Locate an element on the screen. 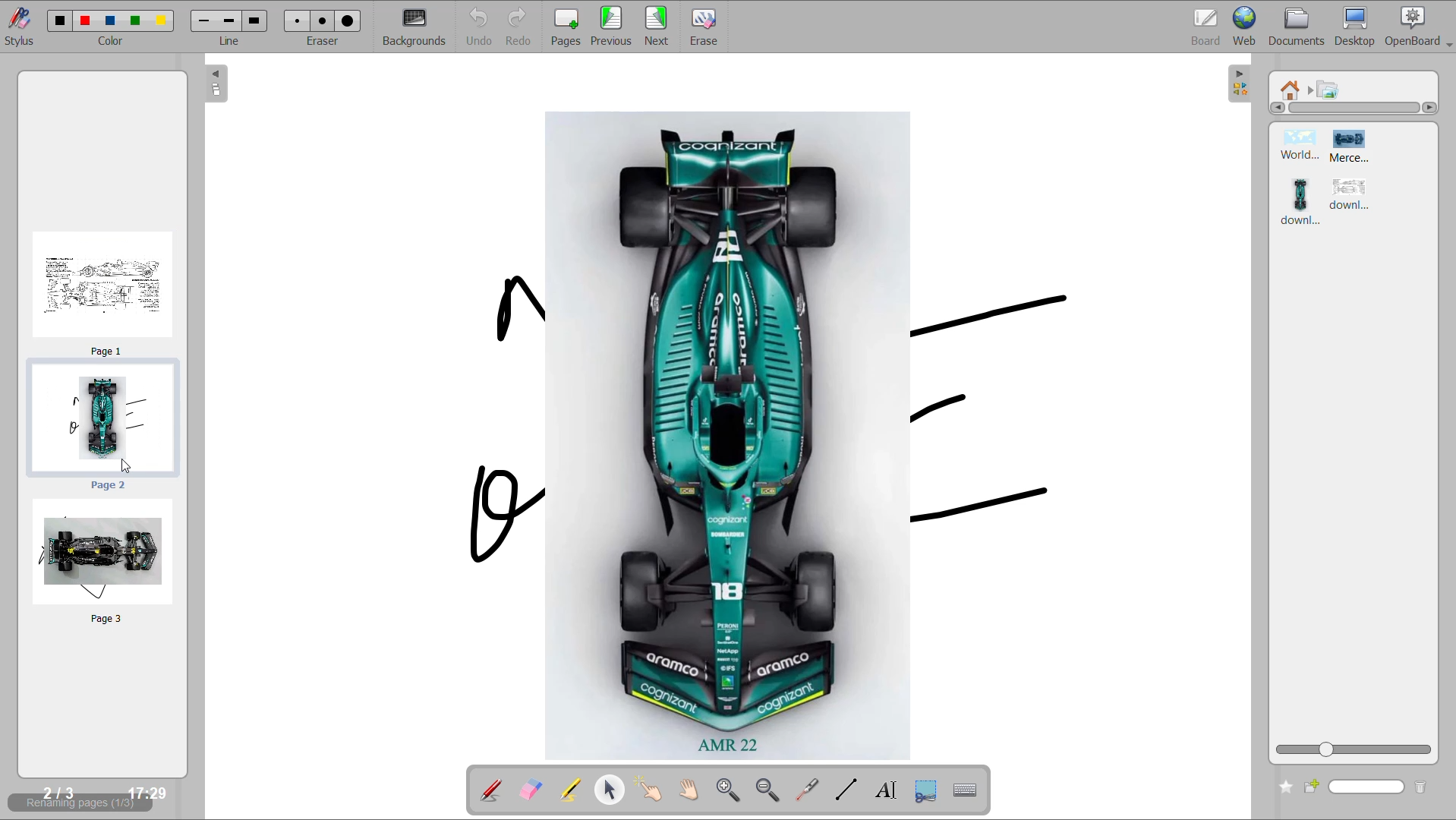 This screenshot has height=820, width=1456. pages is located at coordinates (566, 27).